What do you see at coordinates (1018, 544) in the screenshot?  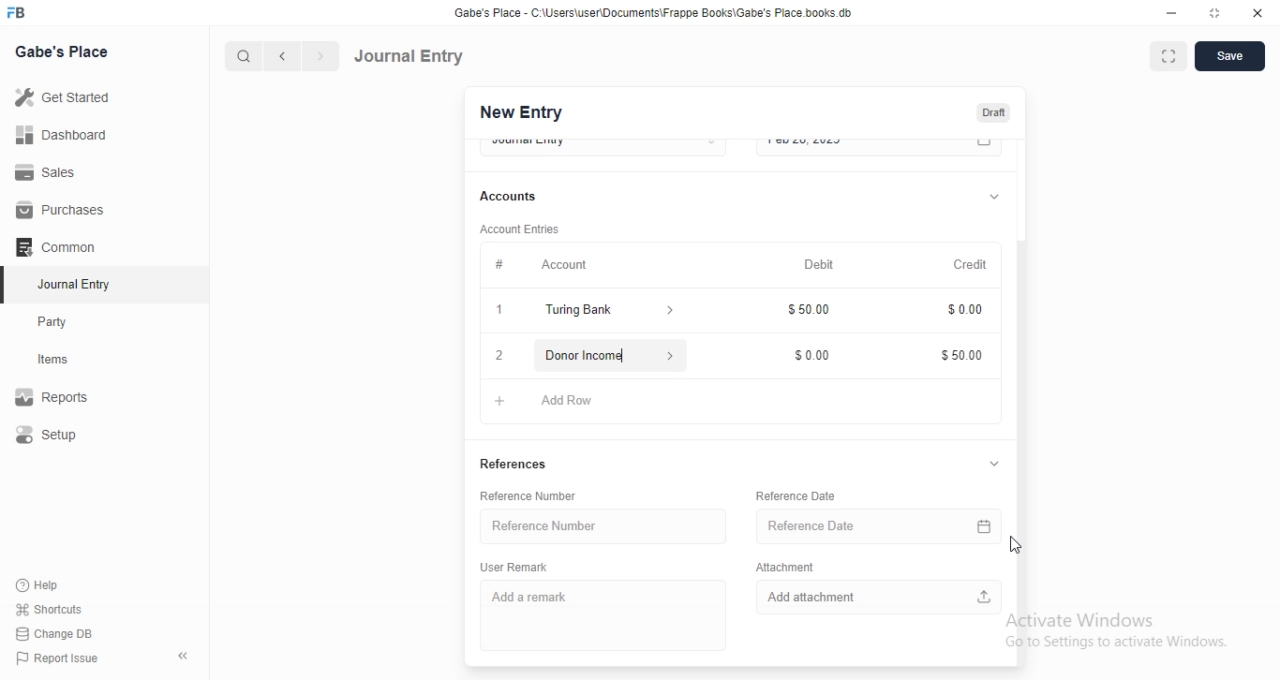 I see `cursor` at bounding box center [1018, 544].